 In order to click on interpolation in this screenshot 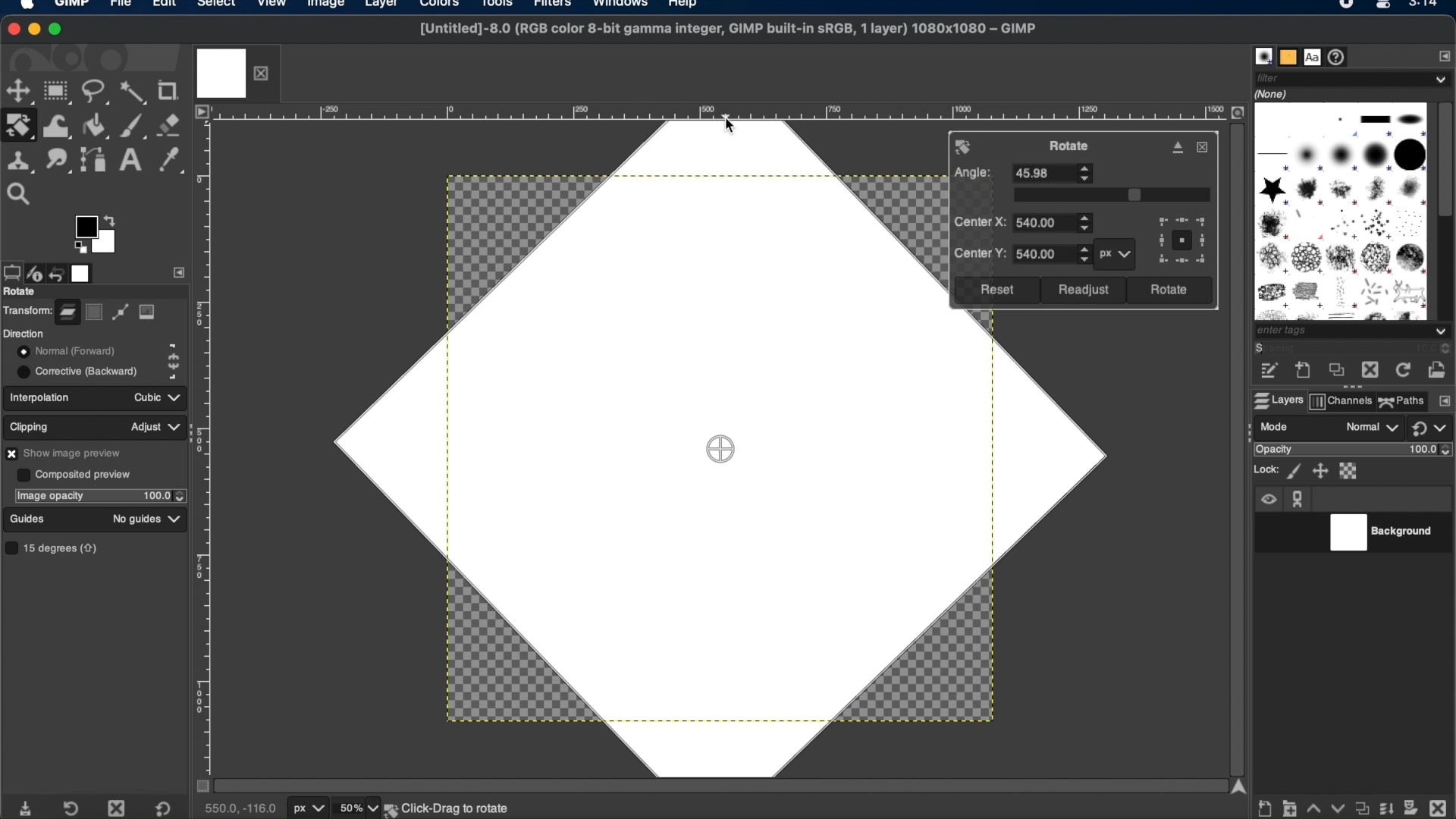, I will do `click(43, 397)`.